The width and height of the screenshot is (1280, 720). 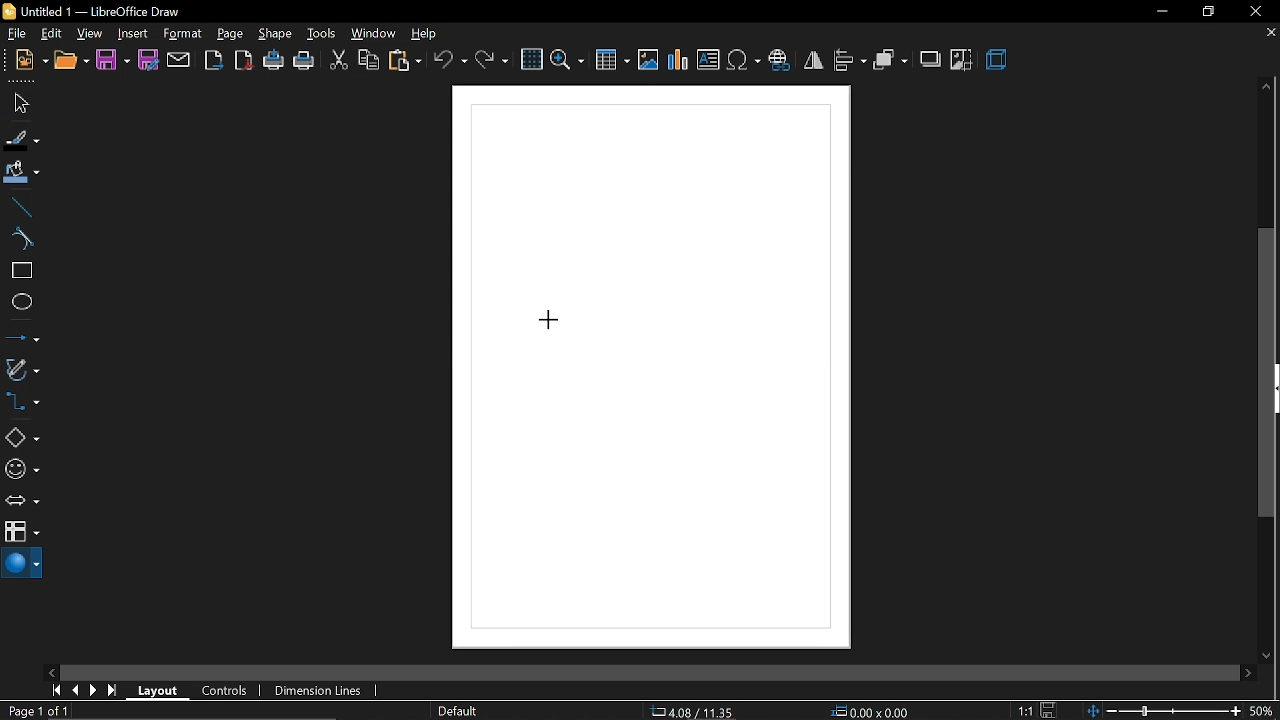 What do you see at coordinates (458, 711) in the screenshot?
I see `page style` at bounding box center [458, 711].